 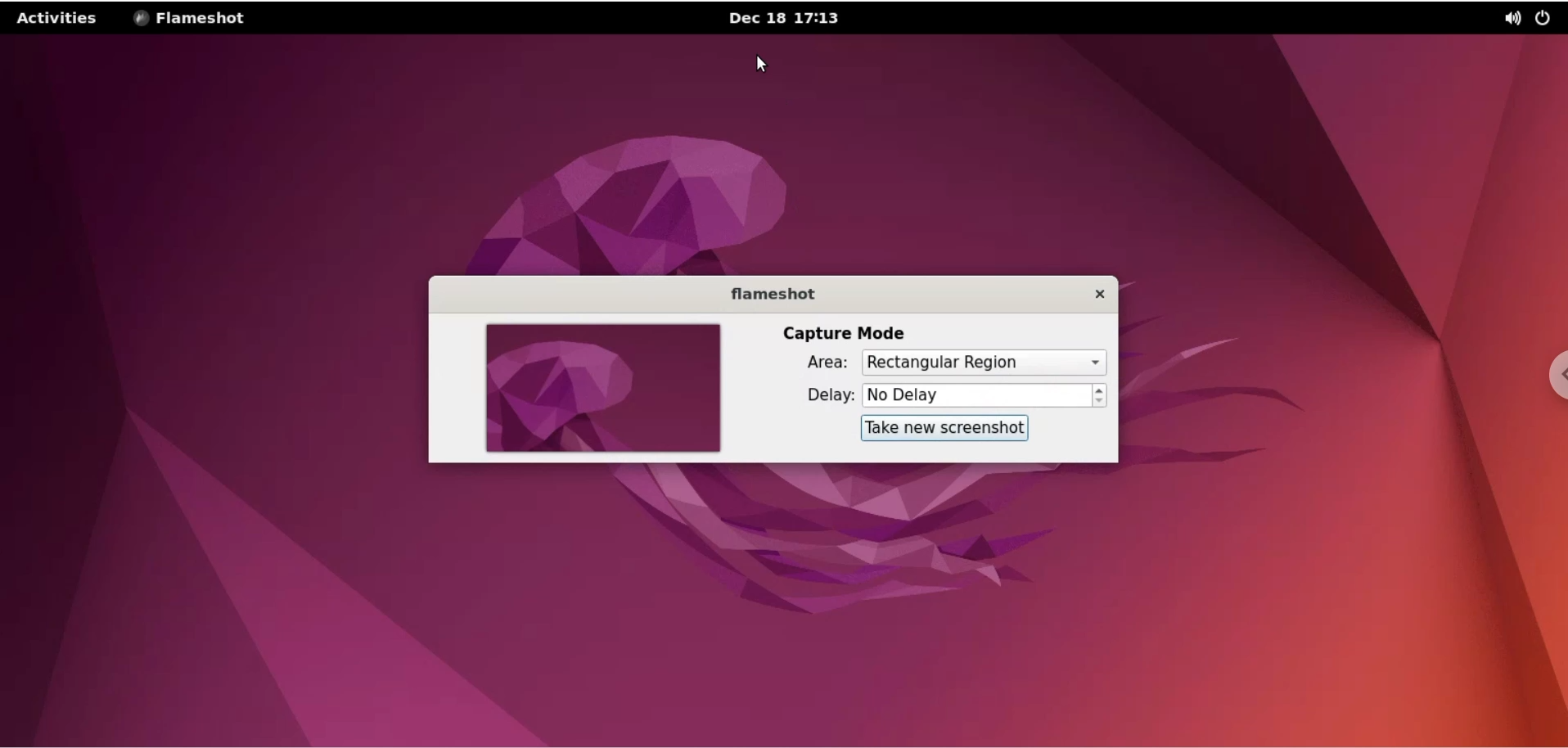 What do you see at coordinates (842, 333) in the screenshot?
I see `capture model label` at bounding box center [842, 333].